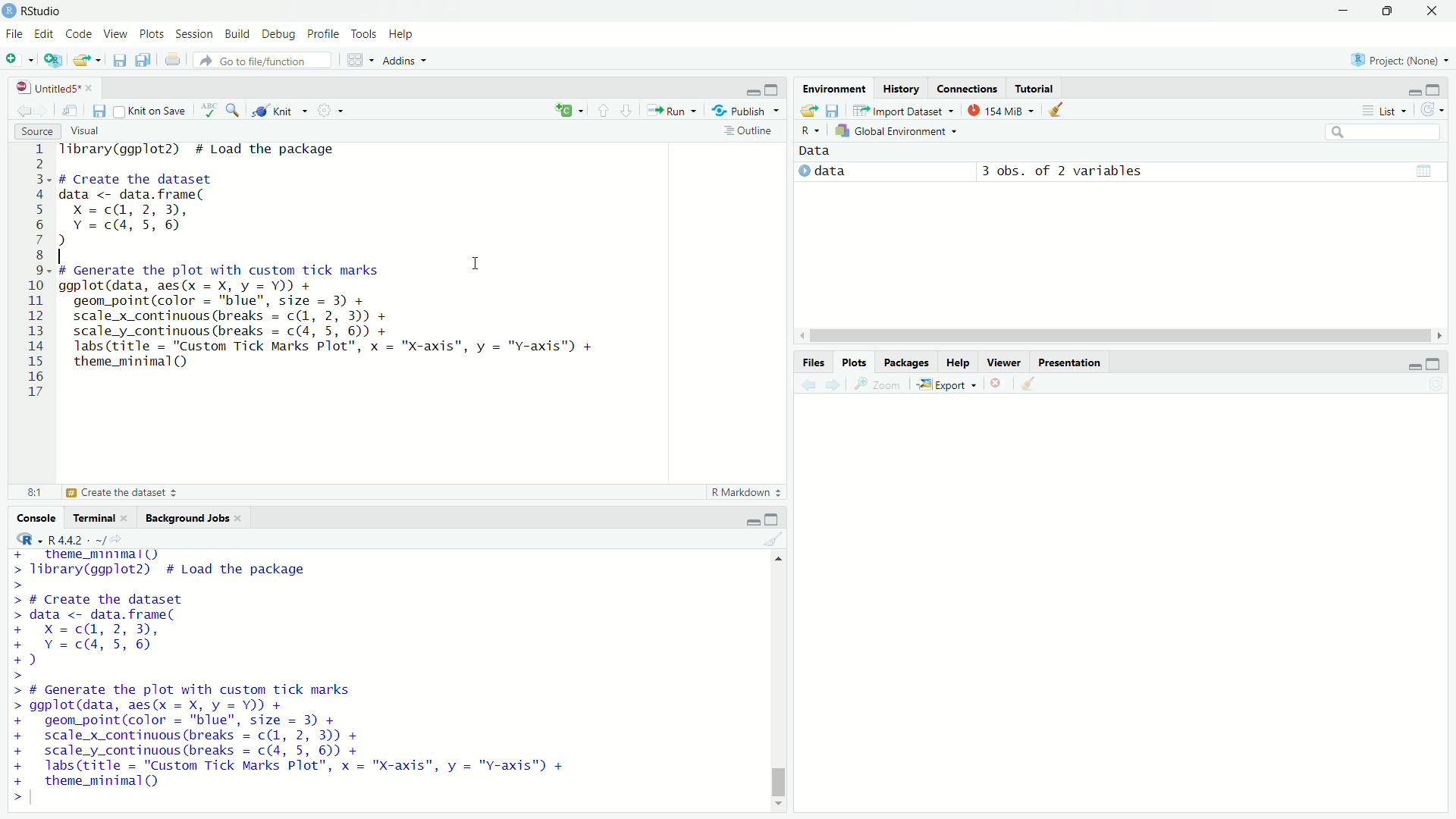  What do you see at coordinates (836, 111) in the screenshot?
I see `save workspace as` at bounding box center [836, 111].